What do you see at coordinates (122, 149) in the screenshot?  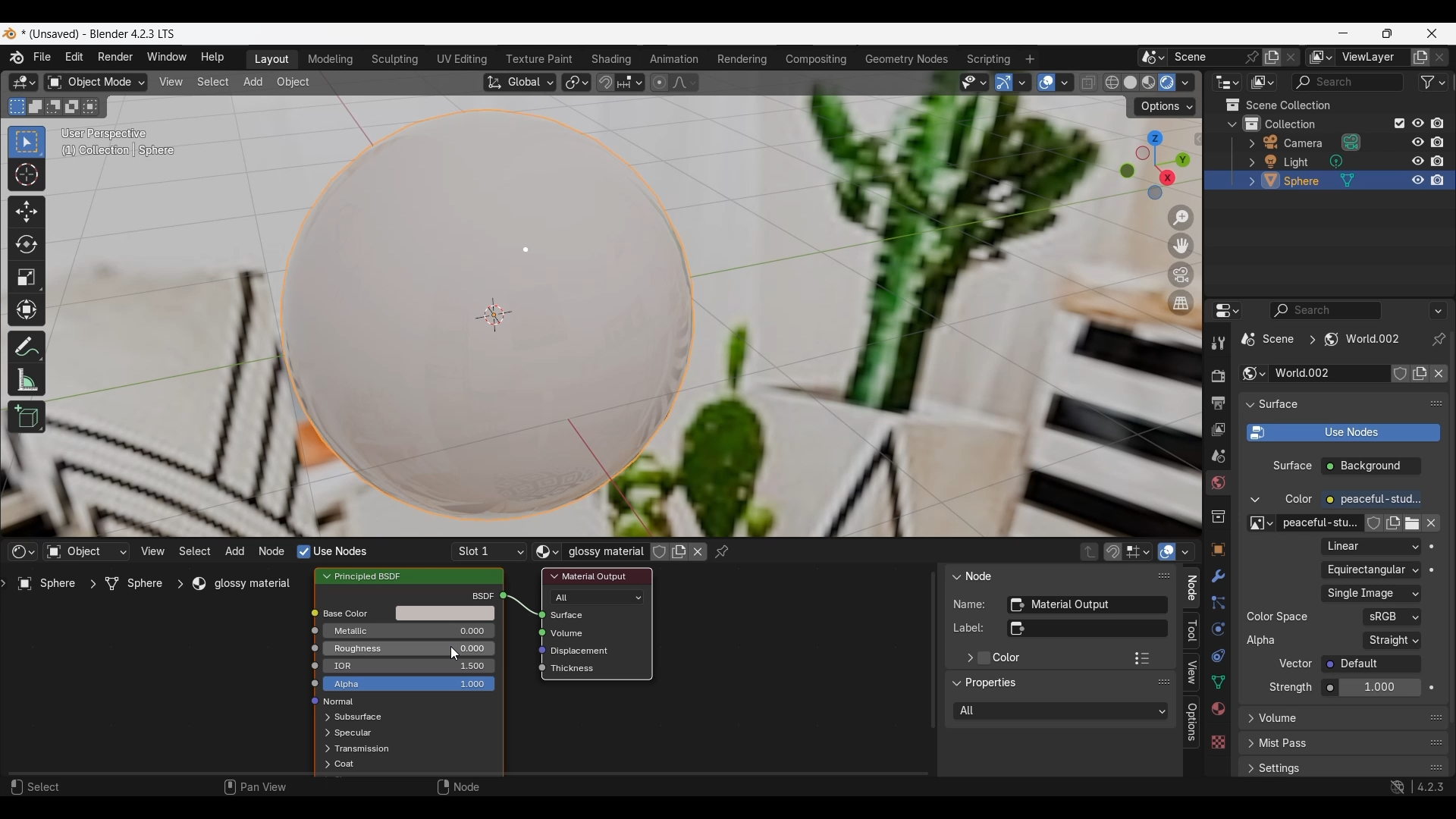 I see `(1) Collection | Sphere` at bounding box center [122, 149].